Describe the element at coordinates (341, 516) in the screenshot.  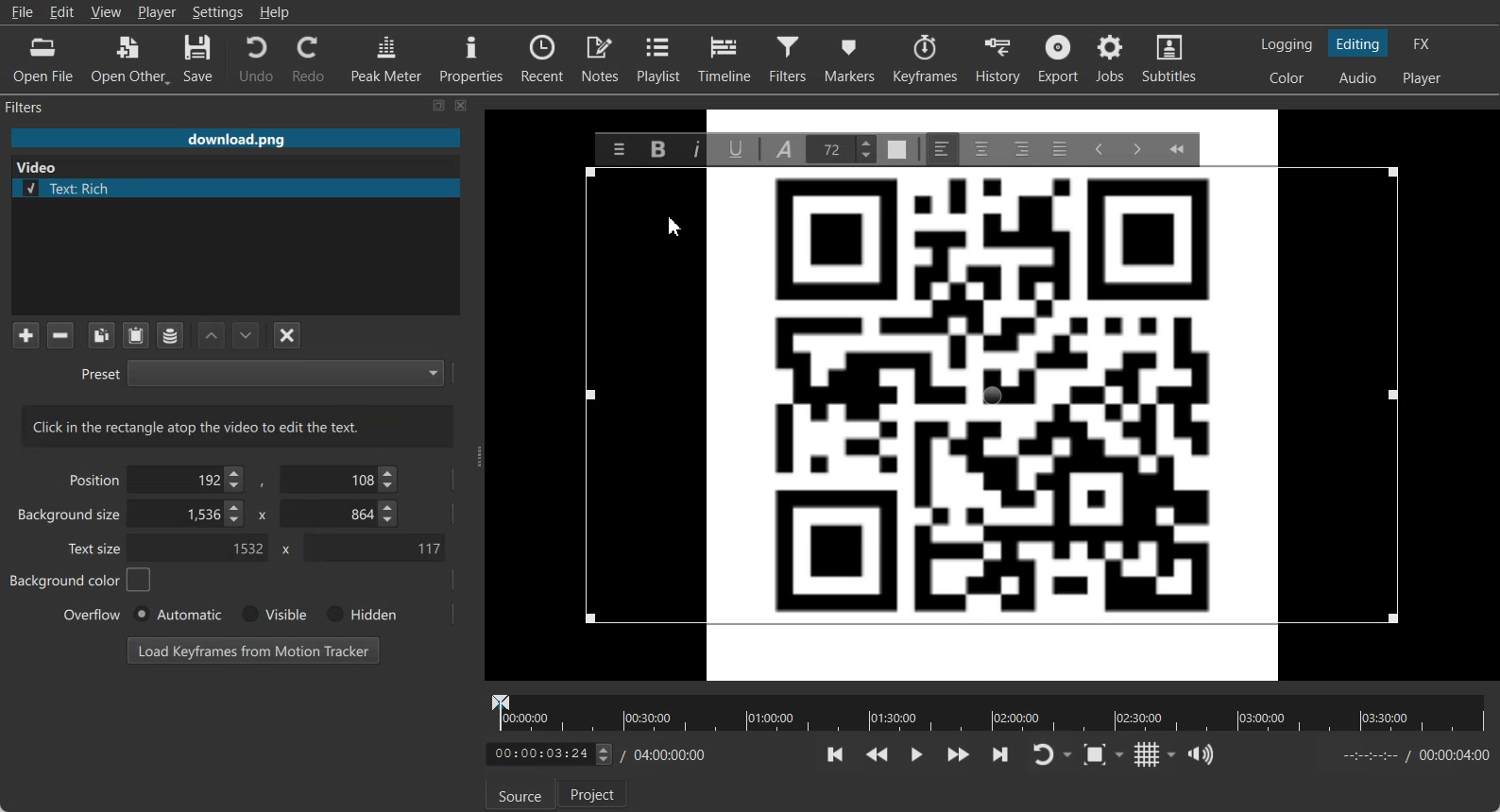
I see `Background size Y- Co-ordinate` at that location.